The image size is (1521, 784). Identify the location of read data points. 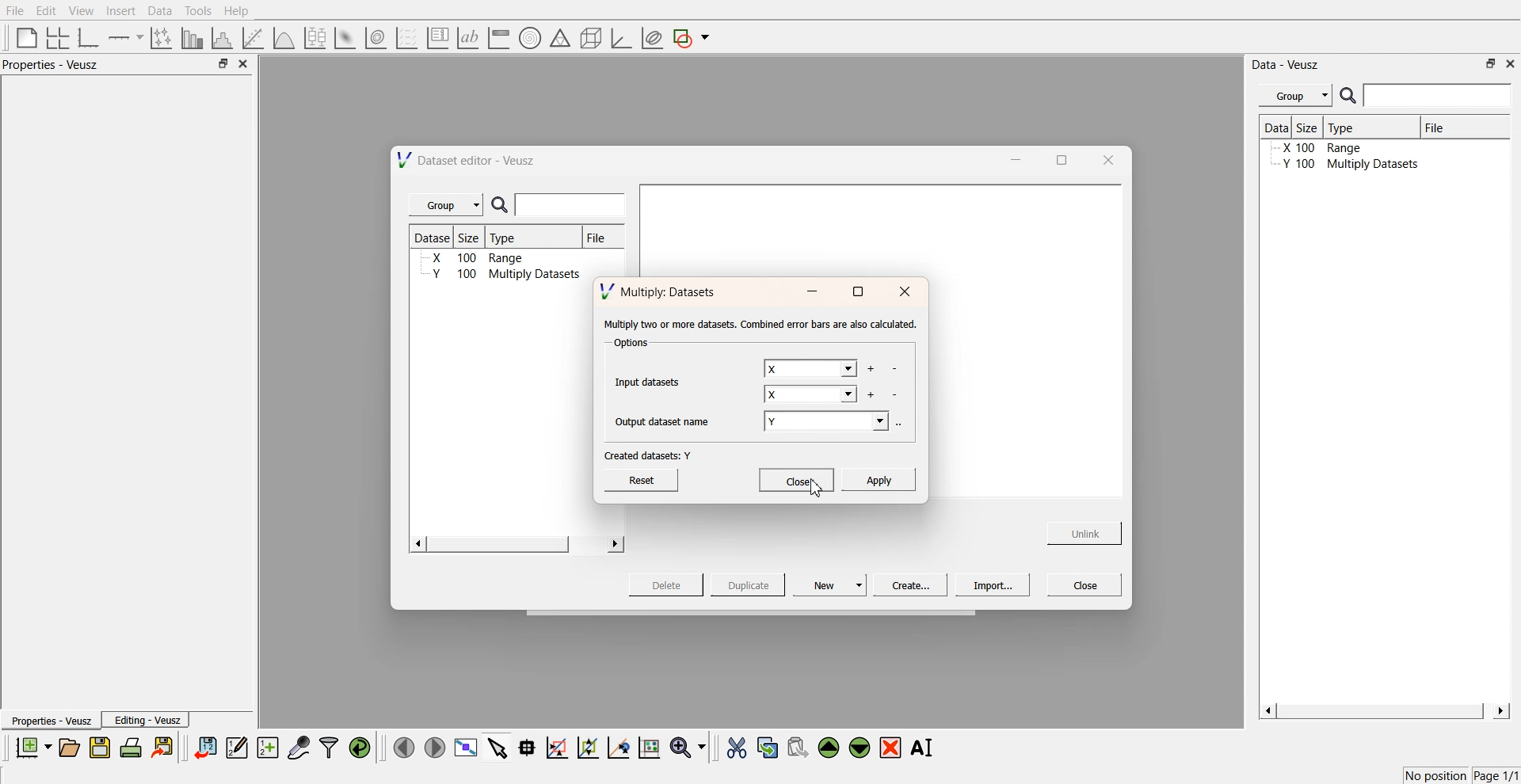
(527, 748).